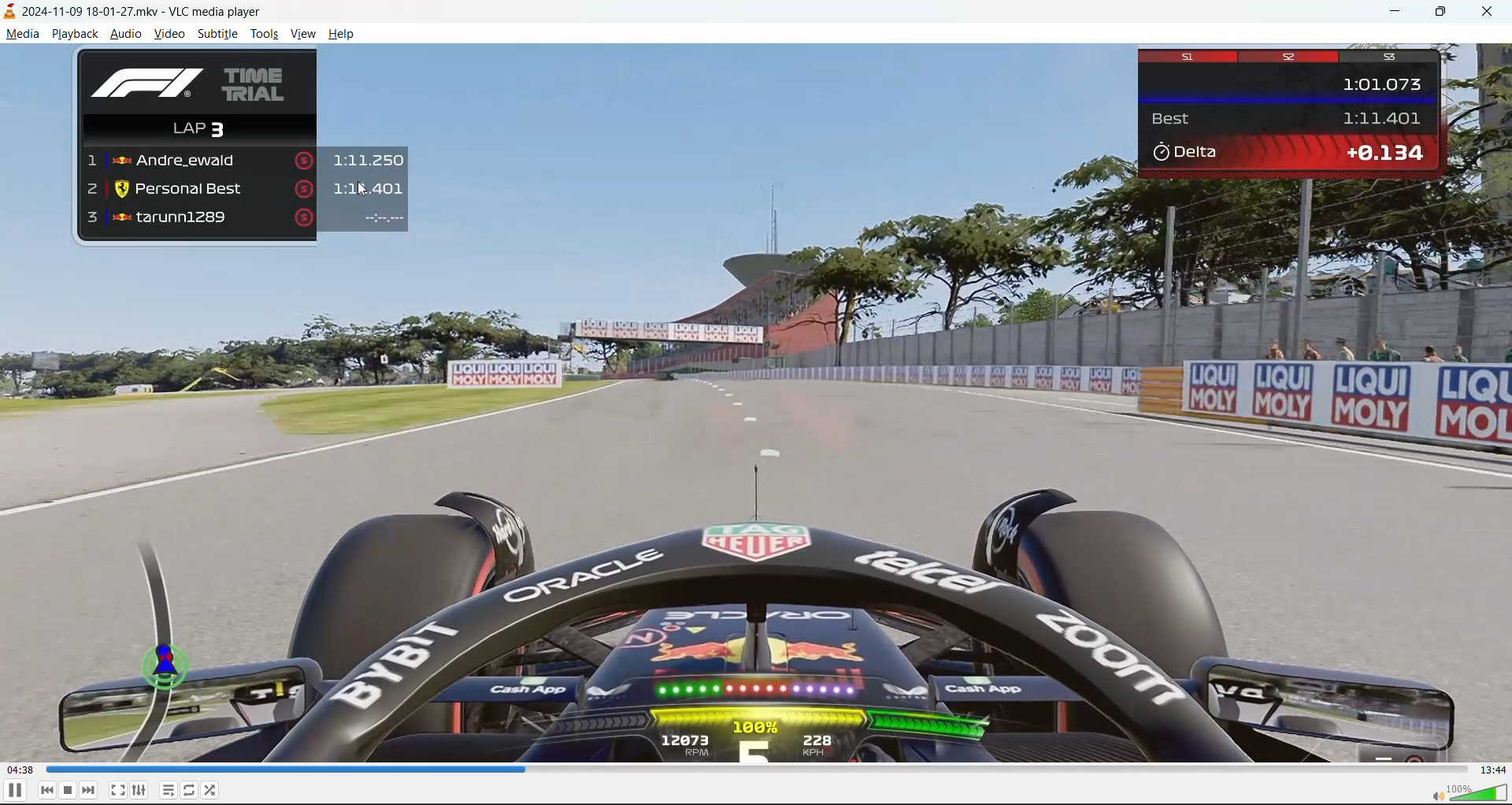 The height and width of the screenshot is (805, 1512). Describe the element at coordinates (17, 792) in the screenshot. I see `pause` at that location.